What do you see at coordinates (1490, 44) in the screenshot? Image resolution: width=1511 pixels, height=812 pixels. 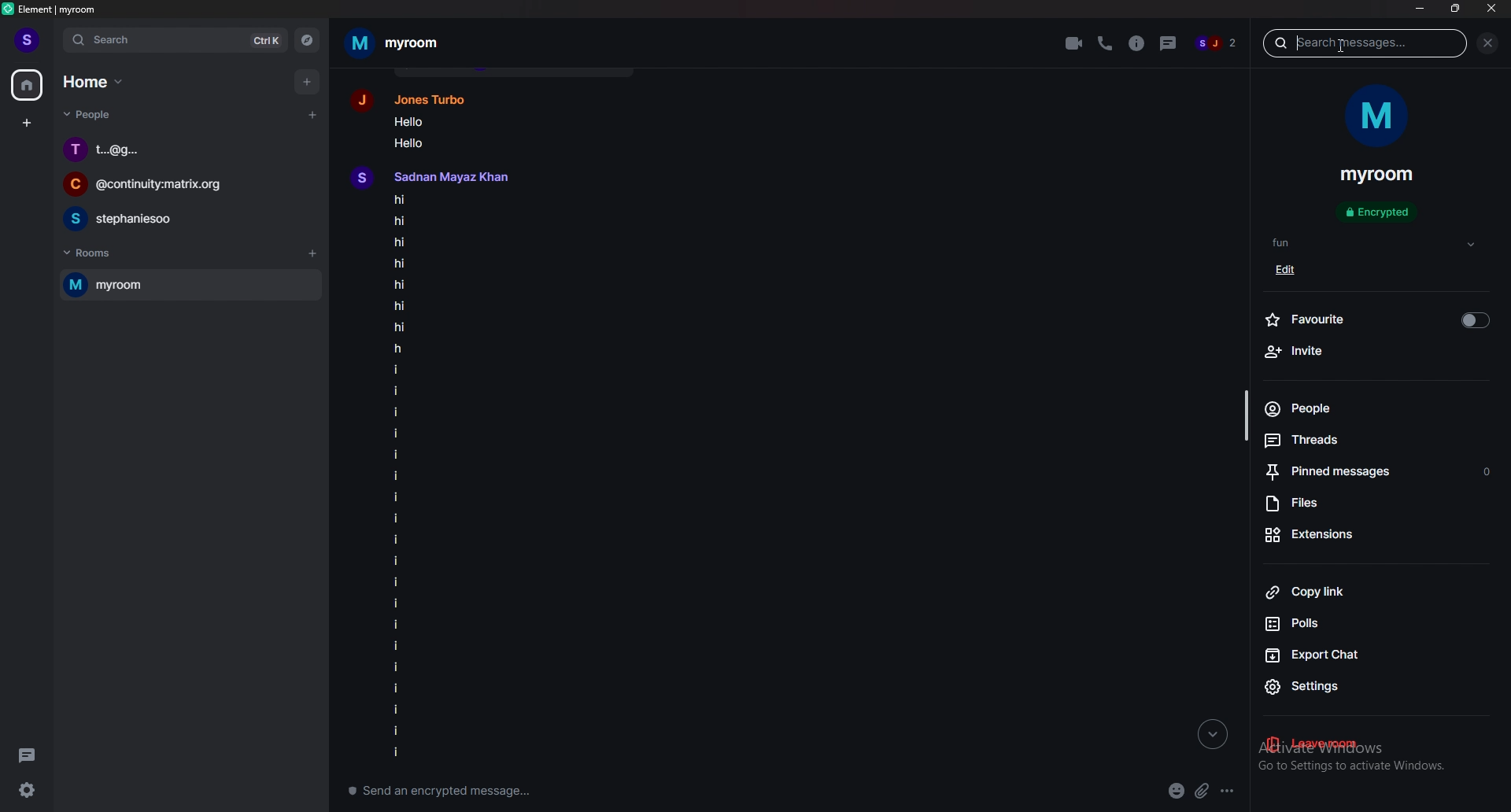 I see `close sidebar` at bounding box center [1490, 44].